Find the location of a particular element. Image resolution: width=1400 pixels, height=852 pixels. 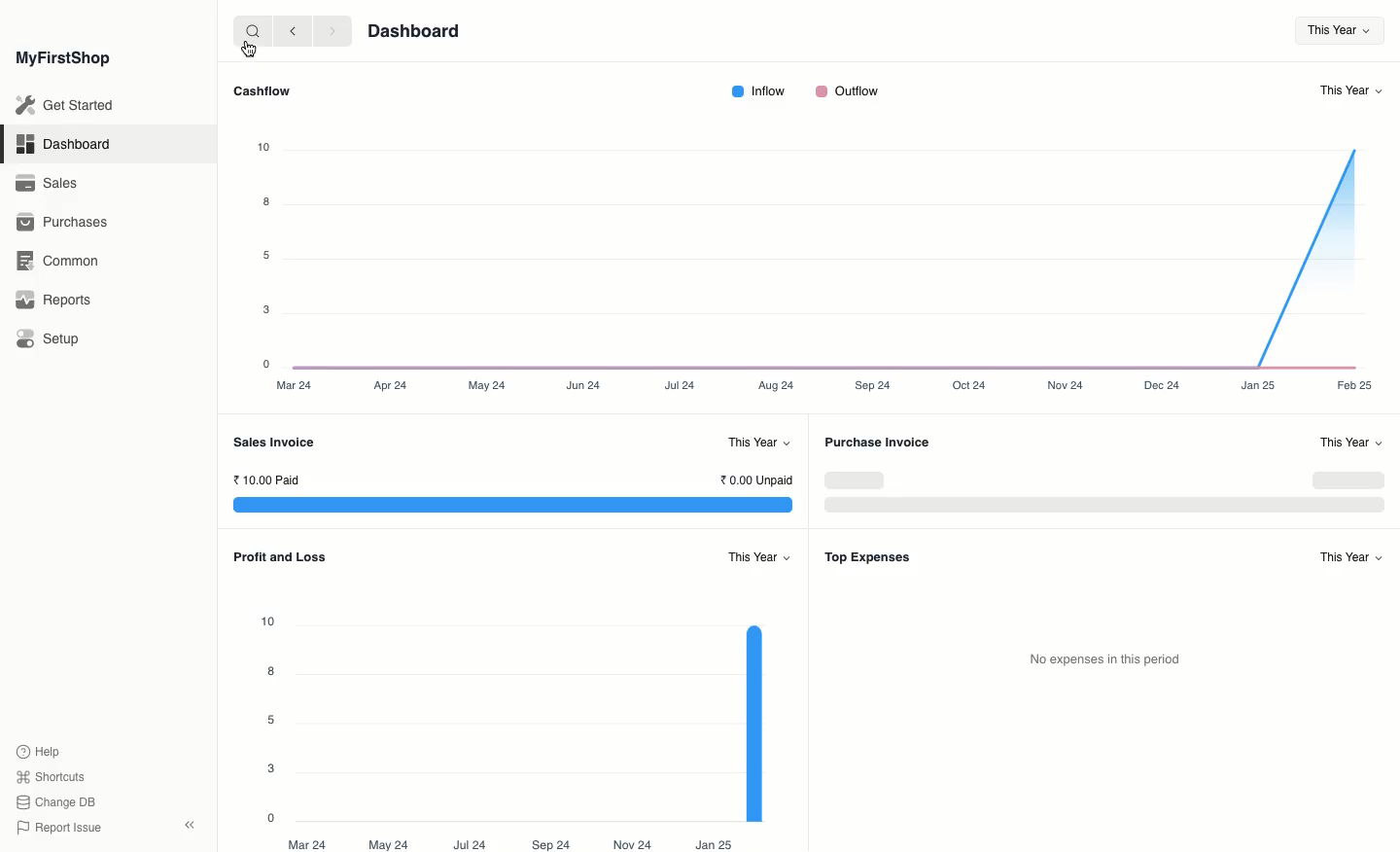

Top Expenses is located at coordinates (870, 556).